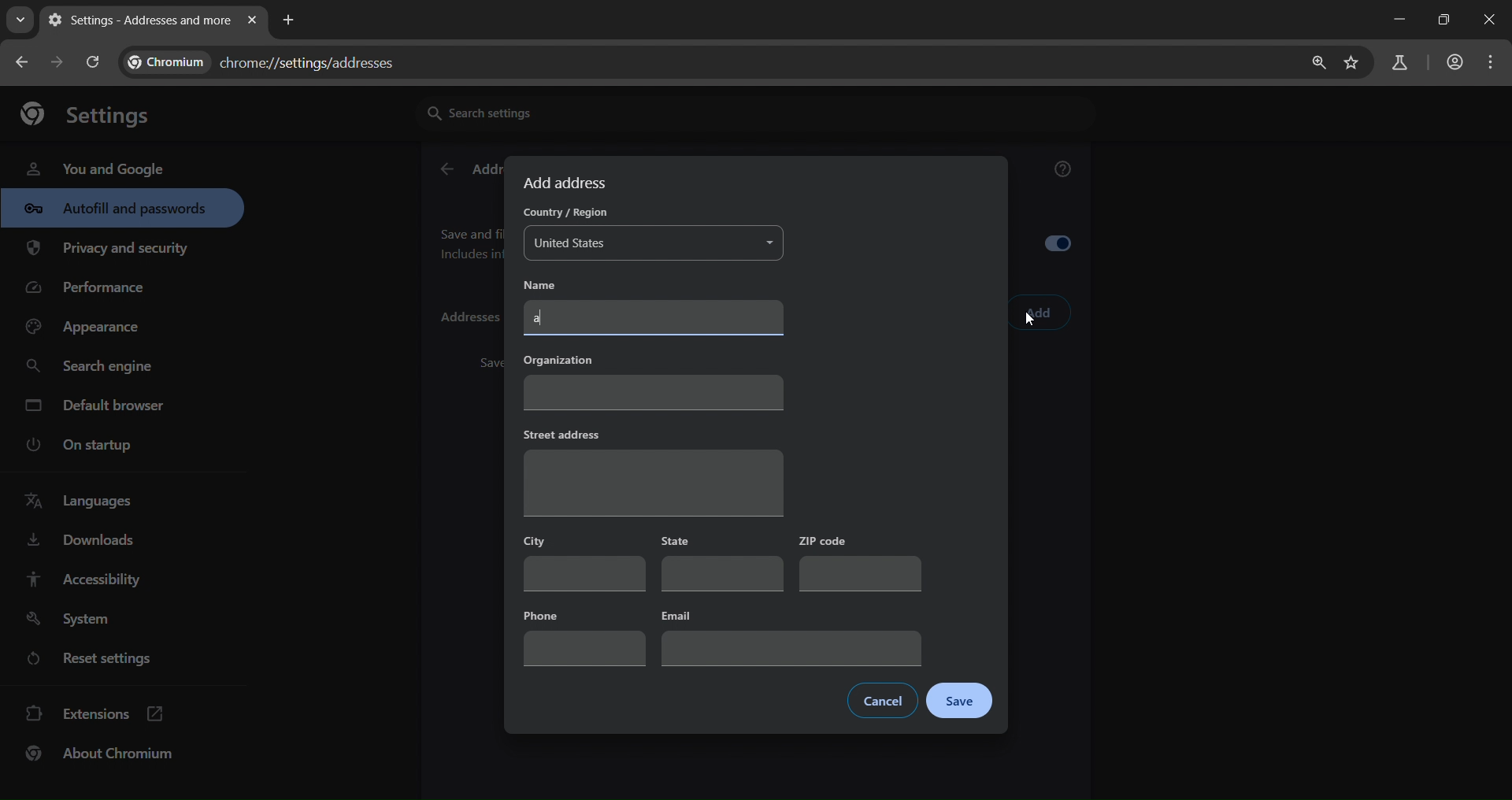 This screenshot has height=800, width=1512. Describe the element at coordinates (723, 564) in the screenshot. I see `state` at that location.